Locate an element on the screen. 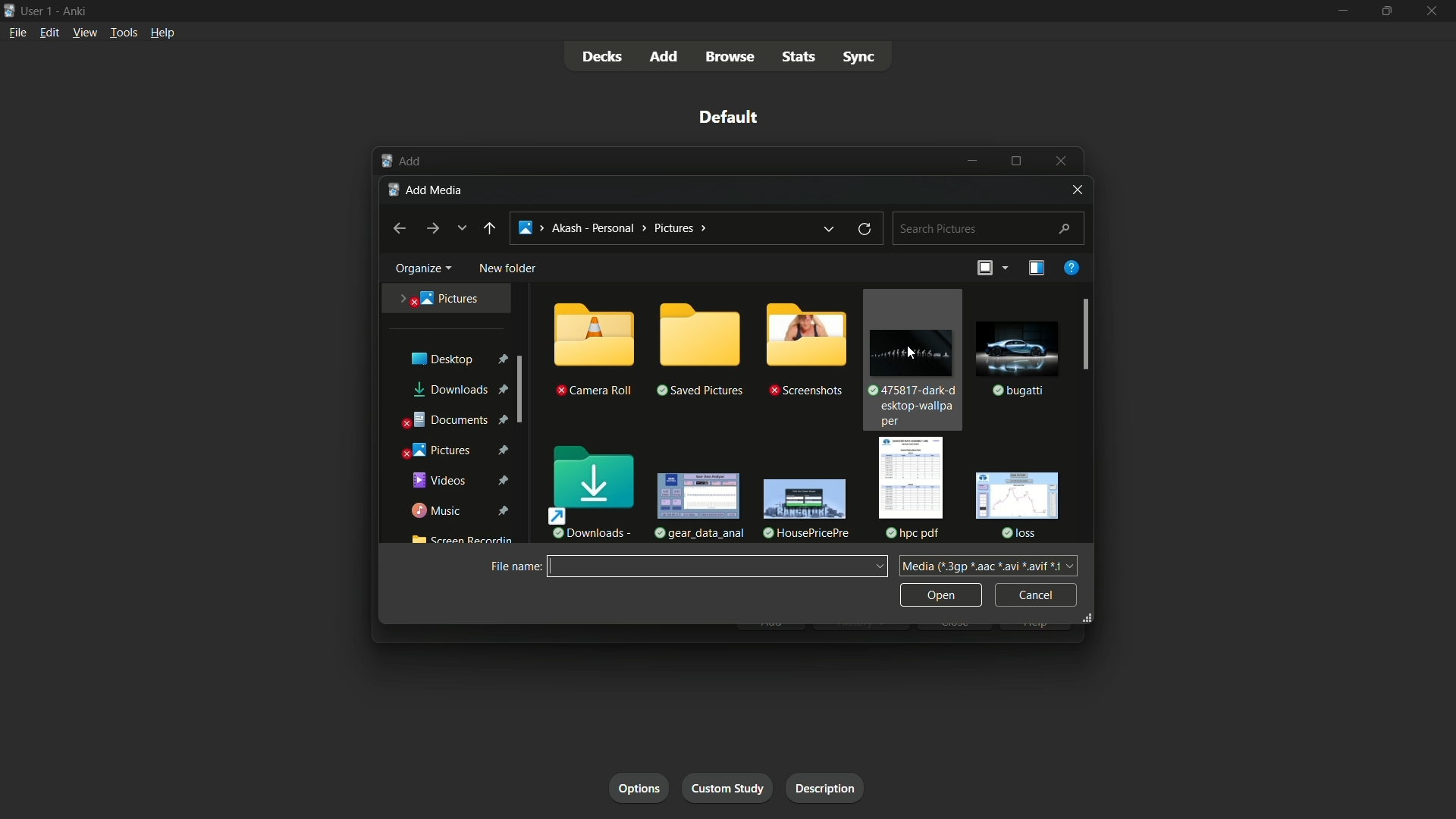 Image resolution: width=1456 pixels, height=819 pixels. cancel is located at coordinates (1036, 595).